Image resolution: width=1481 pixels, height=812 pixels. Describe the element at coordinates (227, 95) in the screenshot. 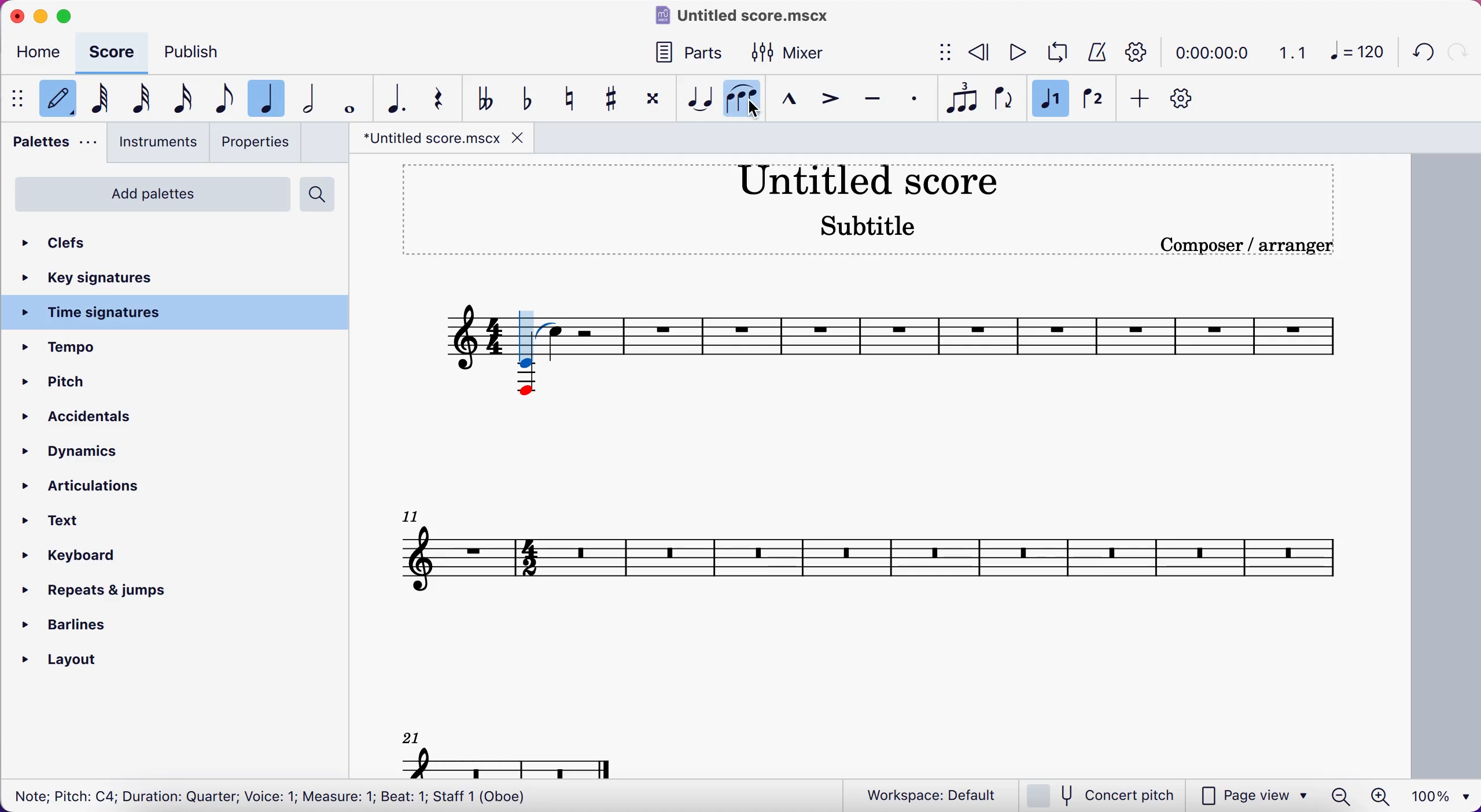

I see `8th note` at that location.